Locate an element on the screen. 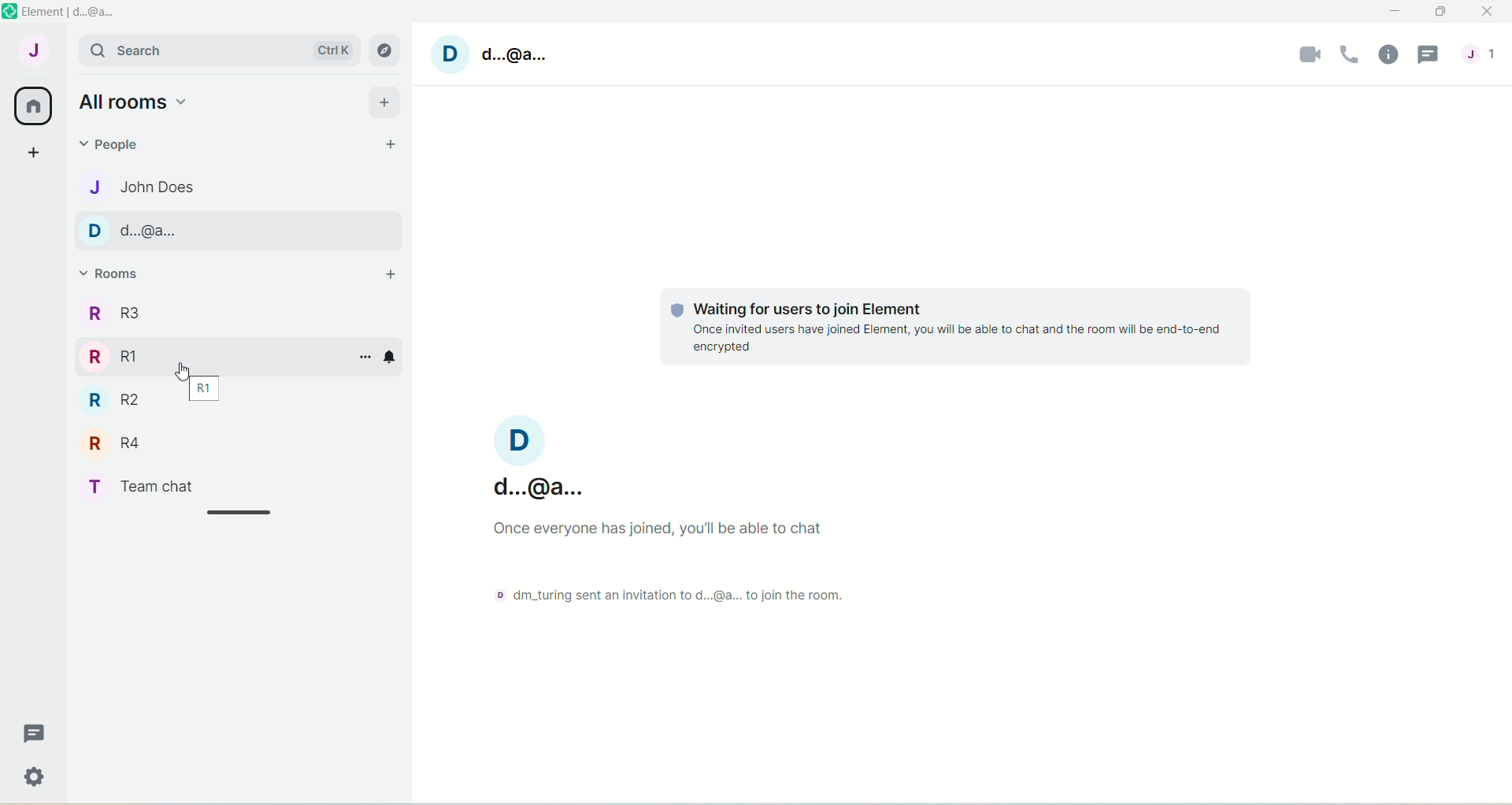  J John Does is located at coordinates (133, 189).